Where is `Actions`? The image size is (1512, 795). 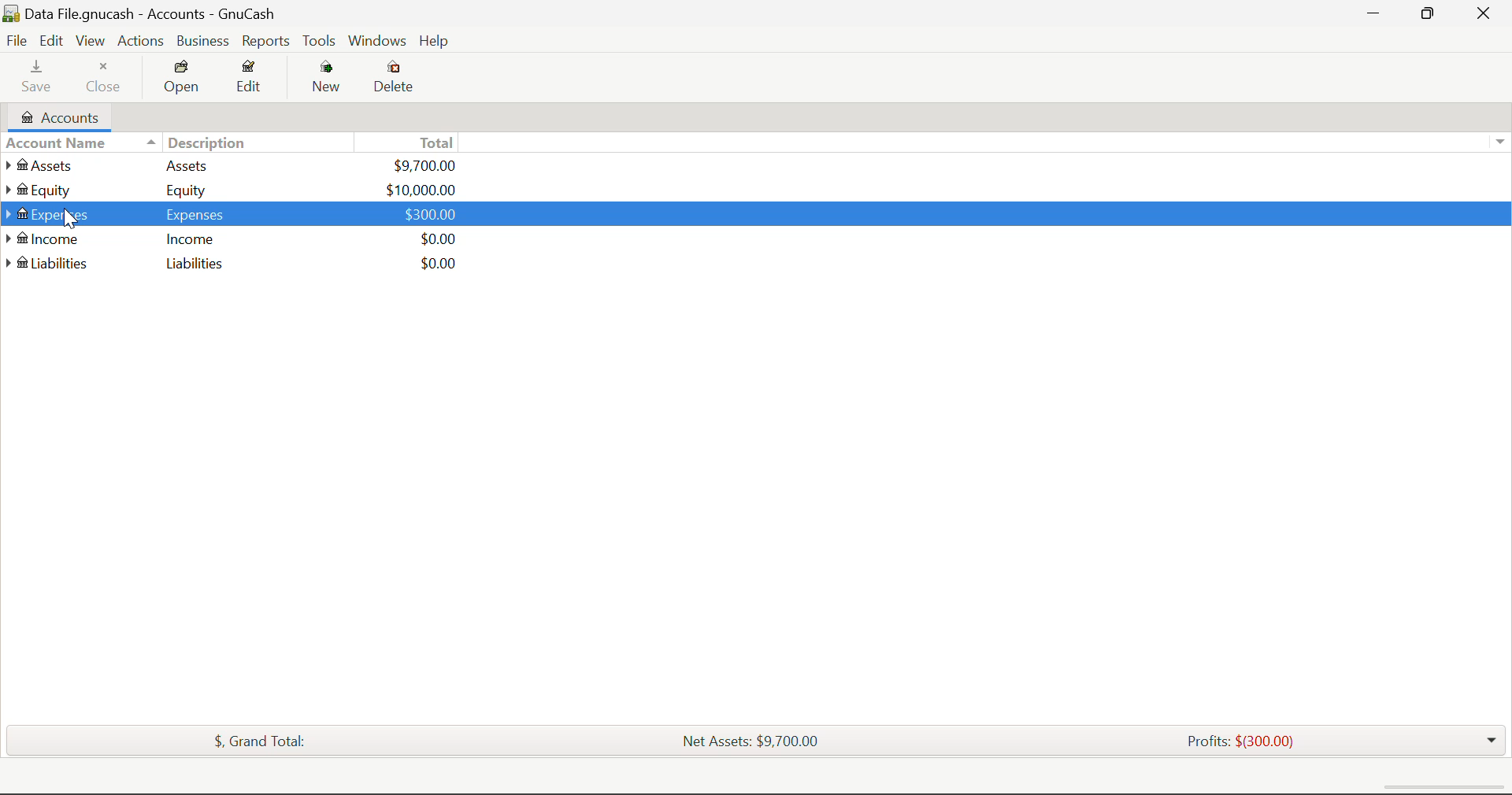 Actions is located at coordinates (142, 43).